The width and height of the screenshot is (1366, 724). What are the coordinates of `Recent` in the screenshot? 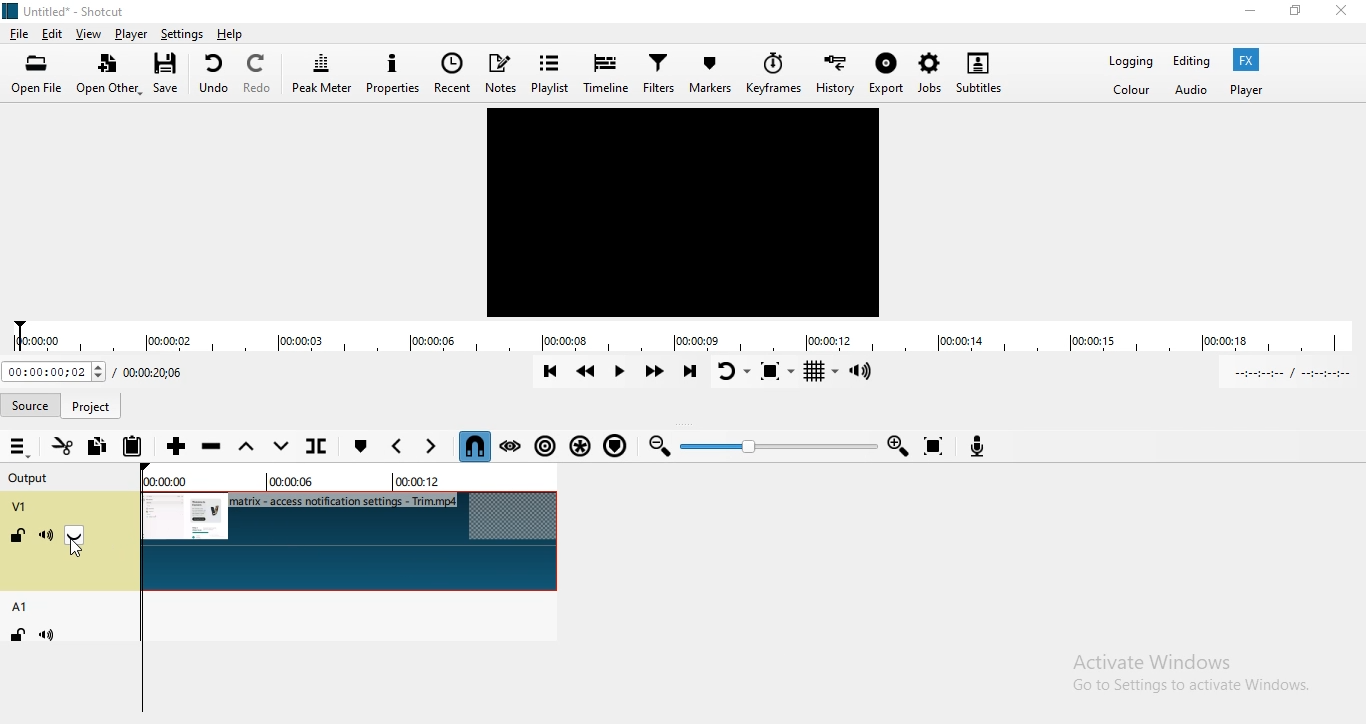 It's located at (453, 75).